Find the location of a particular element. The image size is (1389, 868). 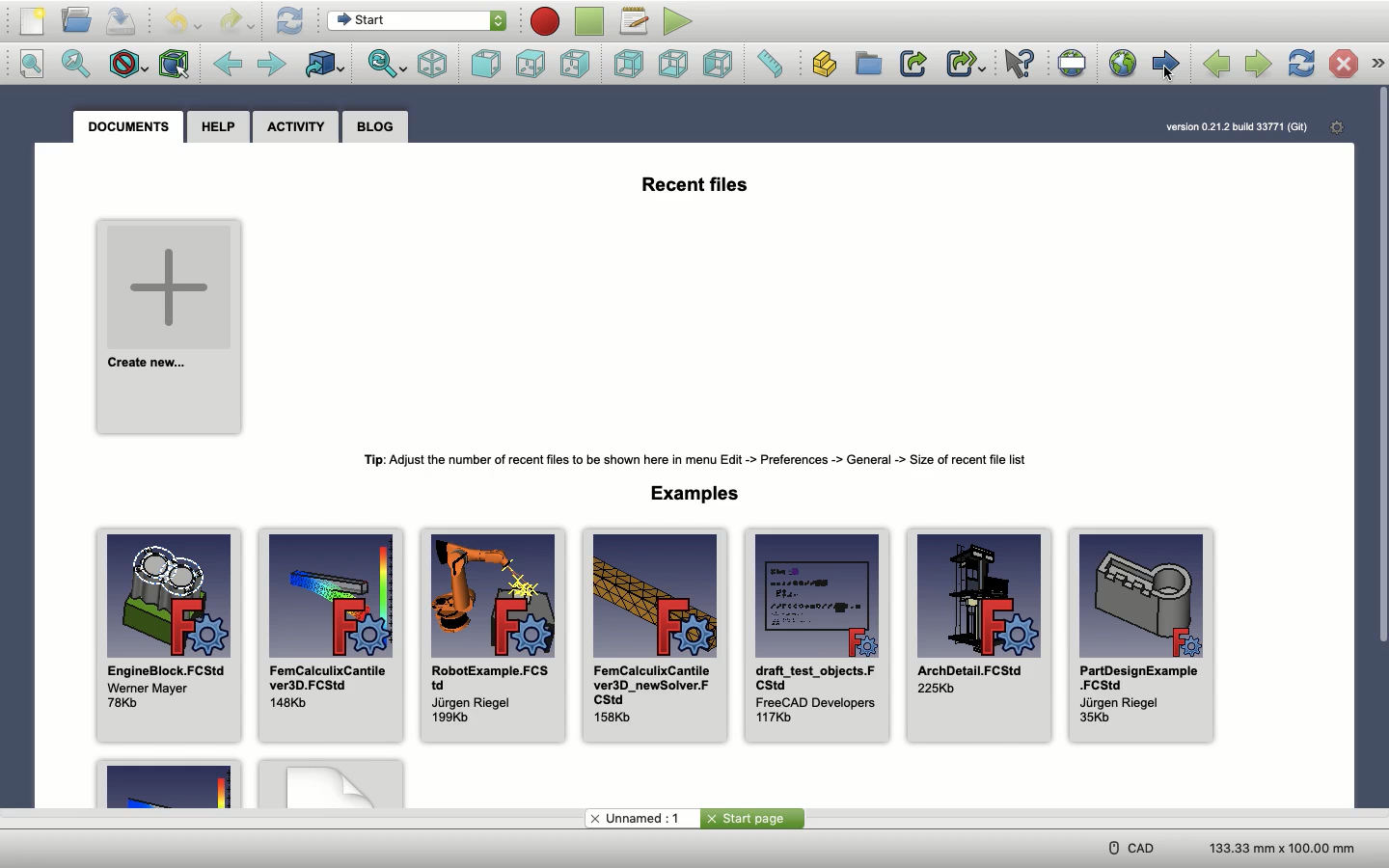

Switch between workbenches is located at coordinates (421, 22).